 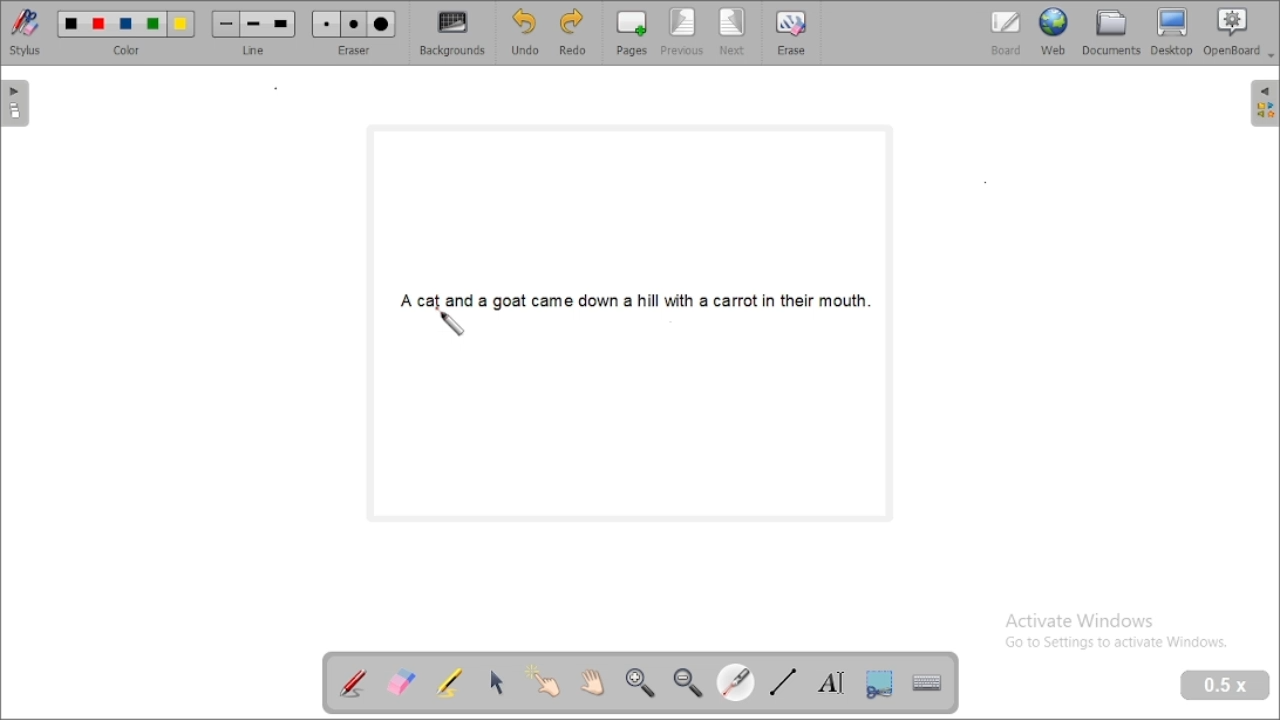 I want to click on document, so click(x=1112, y=32).